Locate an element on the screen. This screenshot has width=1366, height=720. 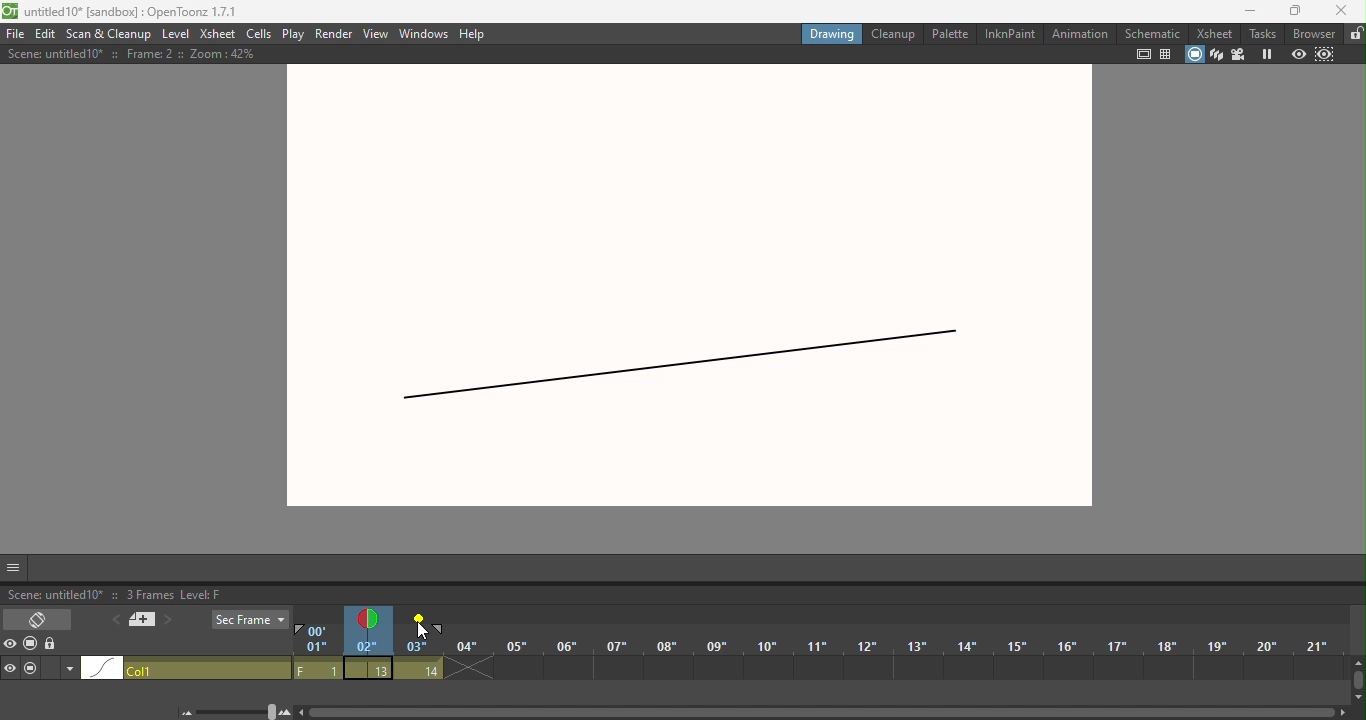
Tasks is located at coordinates (1261, 33).